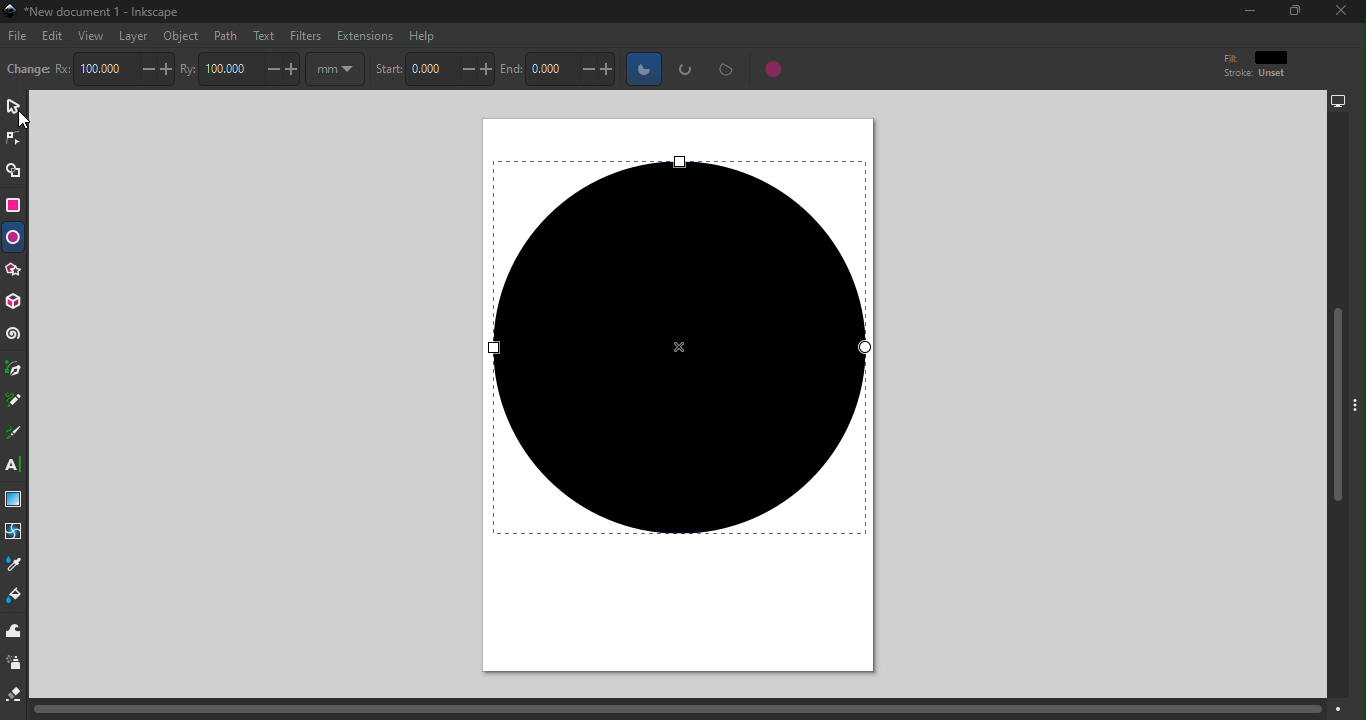 This screenshot has width=1366, height=720. Describe the element at coordinates (1346, 101) in the screenshot. I see `Display options` at that location.